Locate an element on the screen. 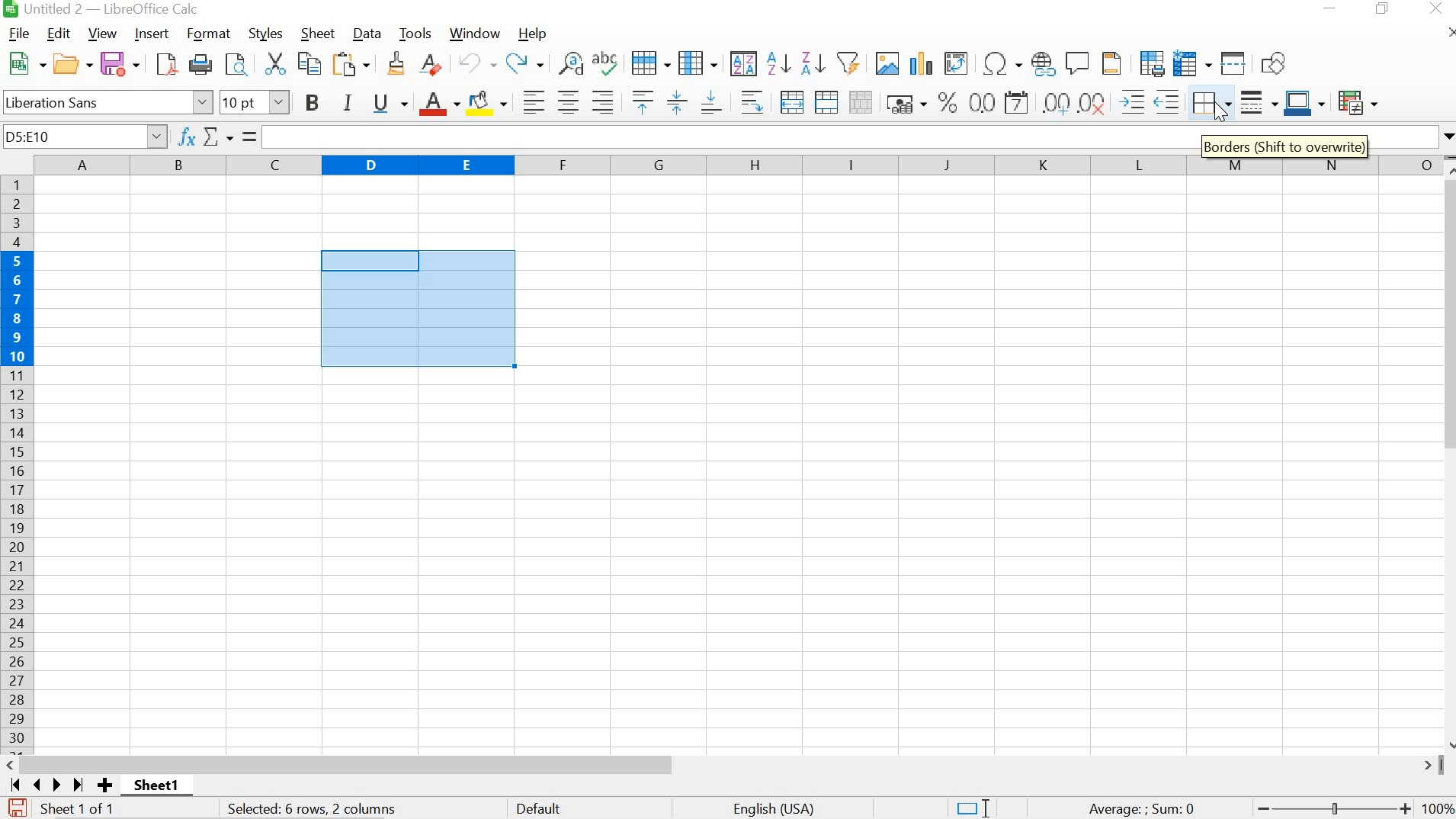  selected 6 rows and 2 columns is located at coordinates (315, 810).